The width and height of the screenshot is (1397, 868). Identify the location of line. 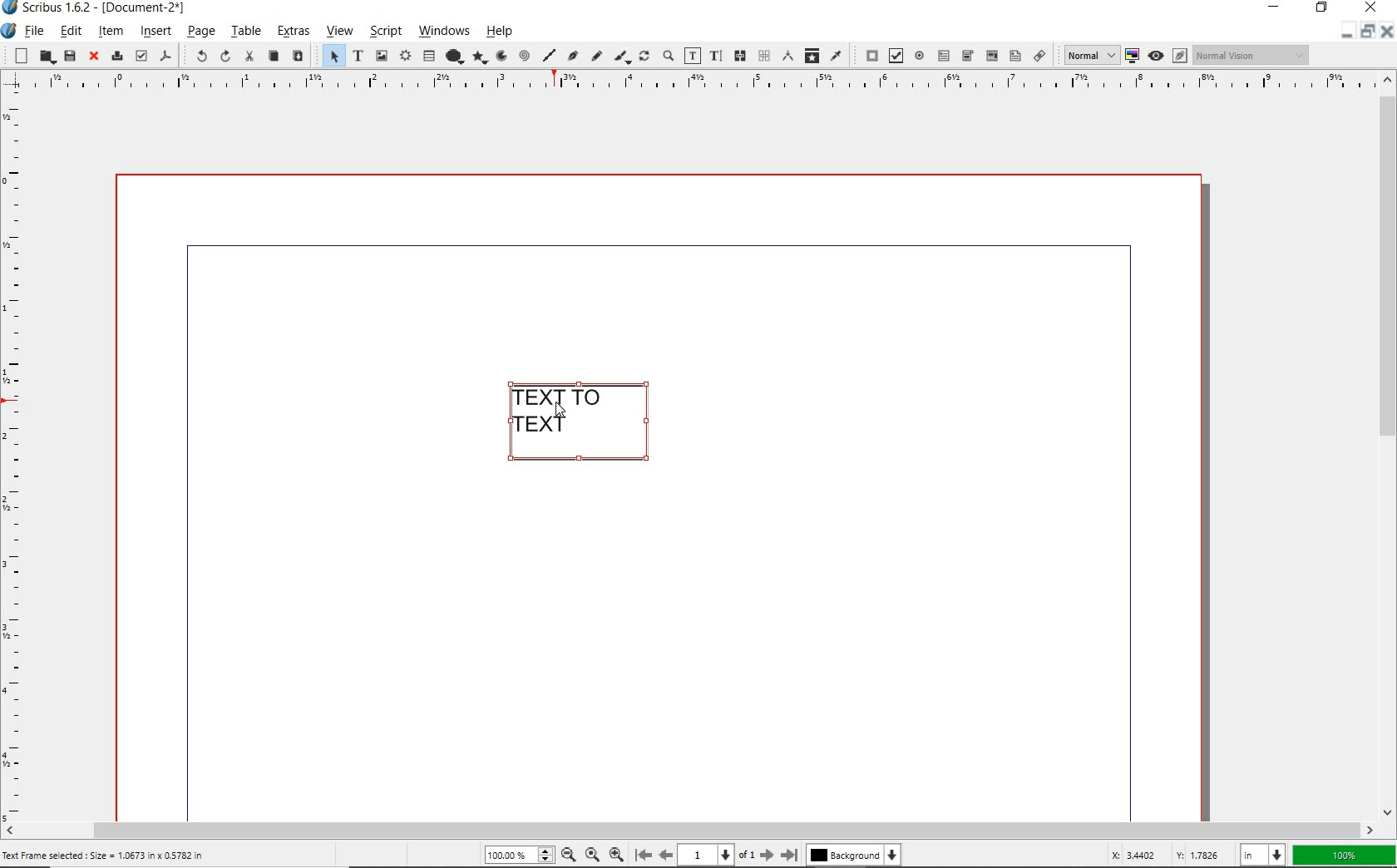
(548, 57).